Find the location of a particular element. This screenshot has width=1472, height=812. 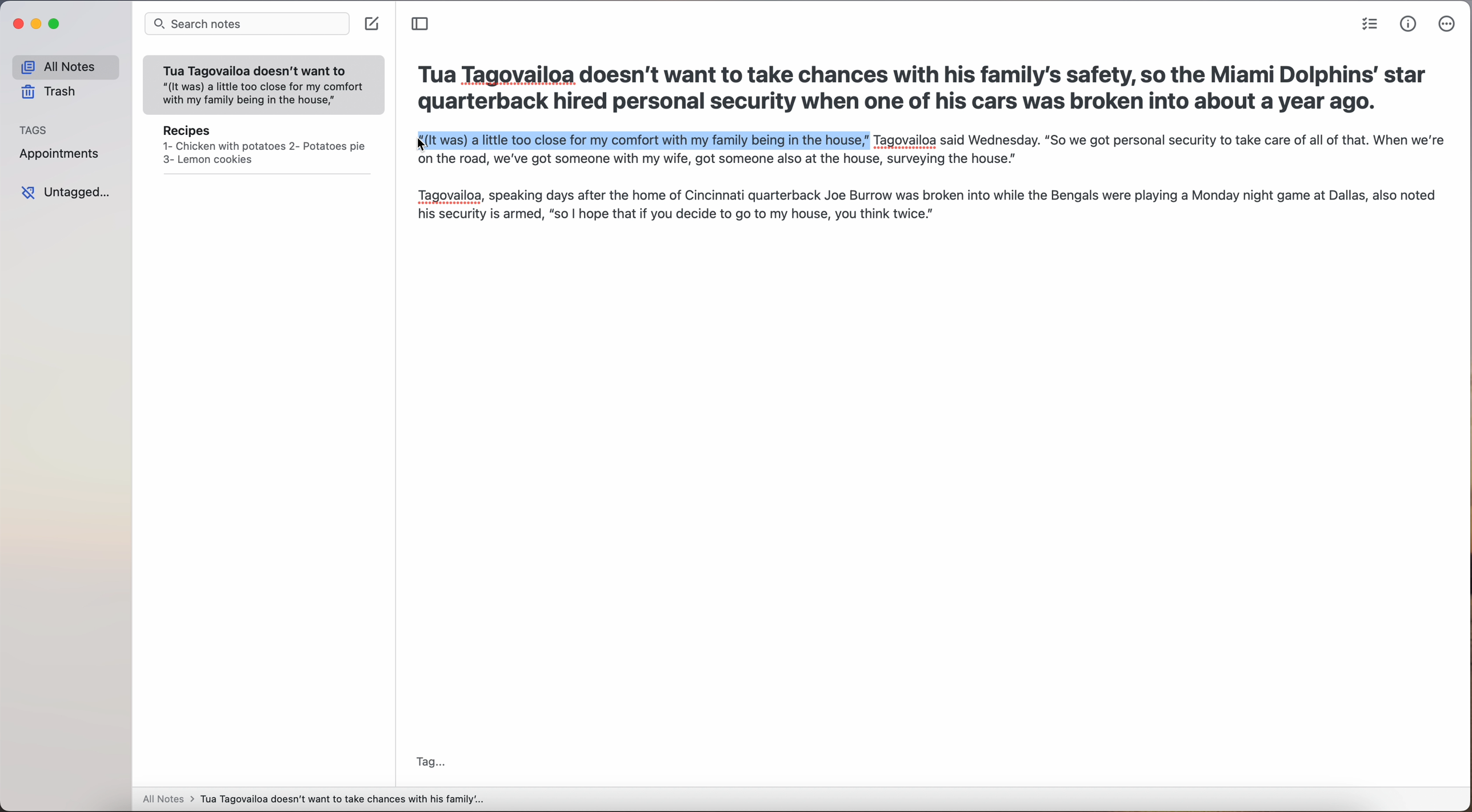

body text Tua Tagovailoa is located at coordinates (1158, 142).